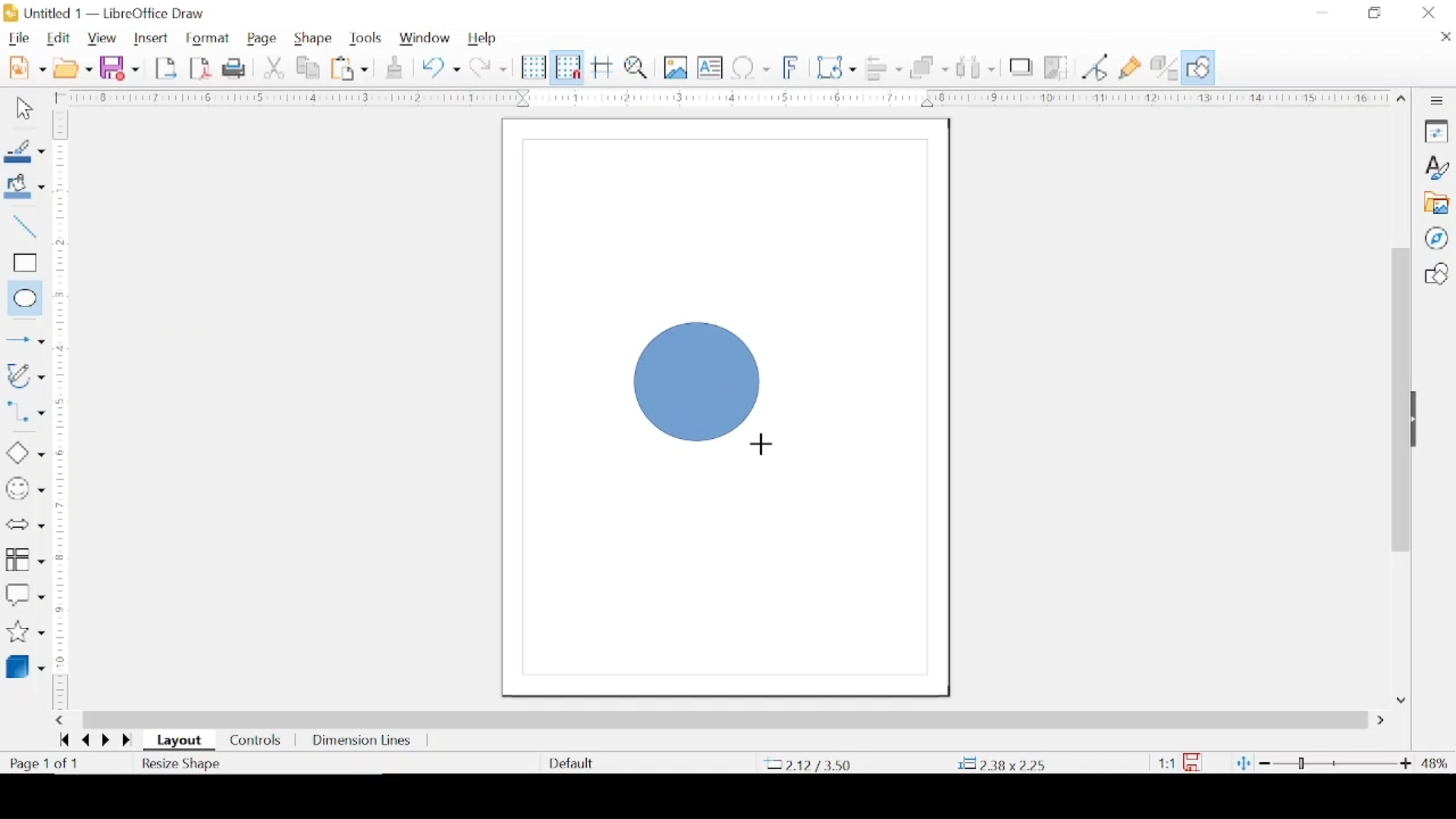 The width and height of the screenshot is (1456, 819). I want to click on arrange, so click(928, 67).